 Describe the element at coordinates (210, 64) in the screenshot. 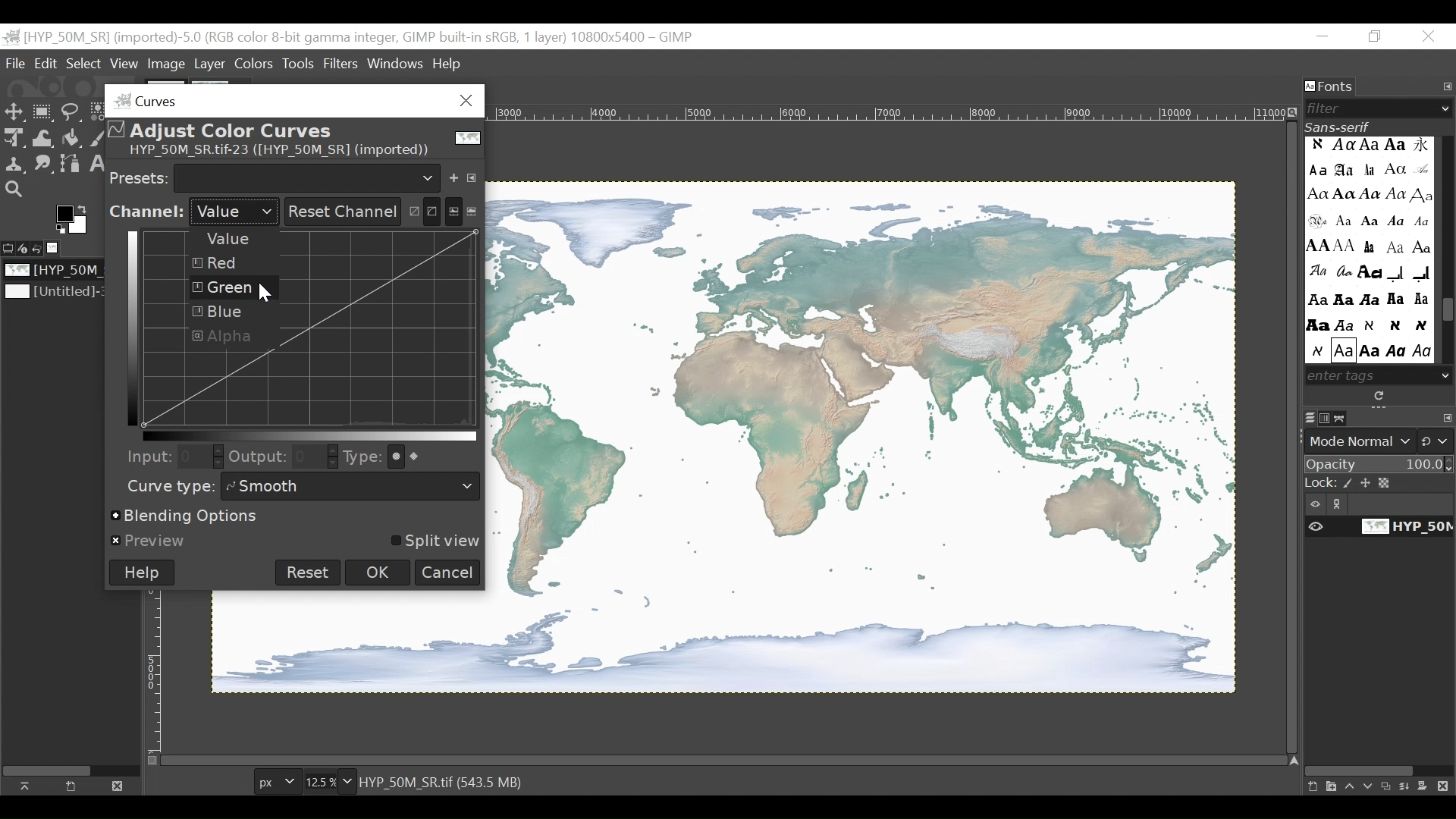

I see `` at that location.